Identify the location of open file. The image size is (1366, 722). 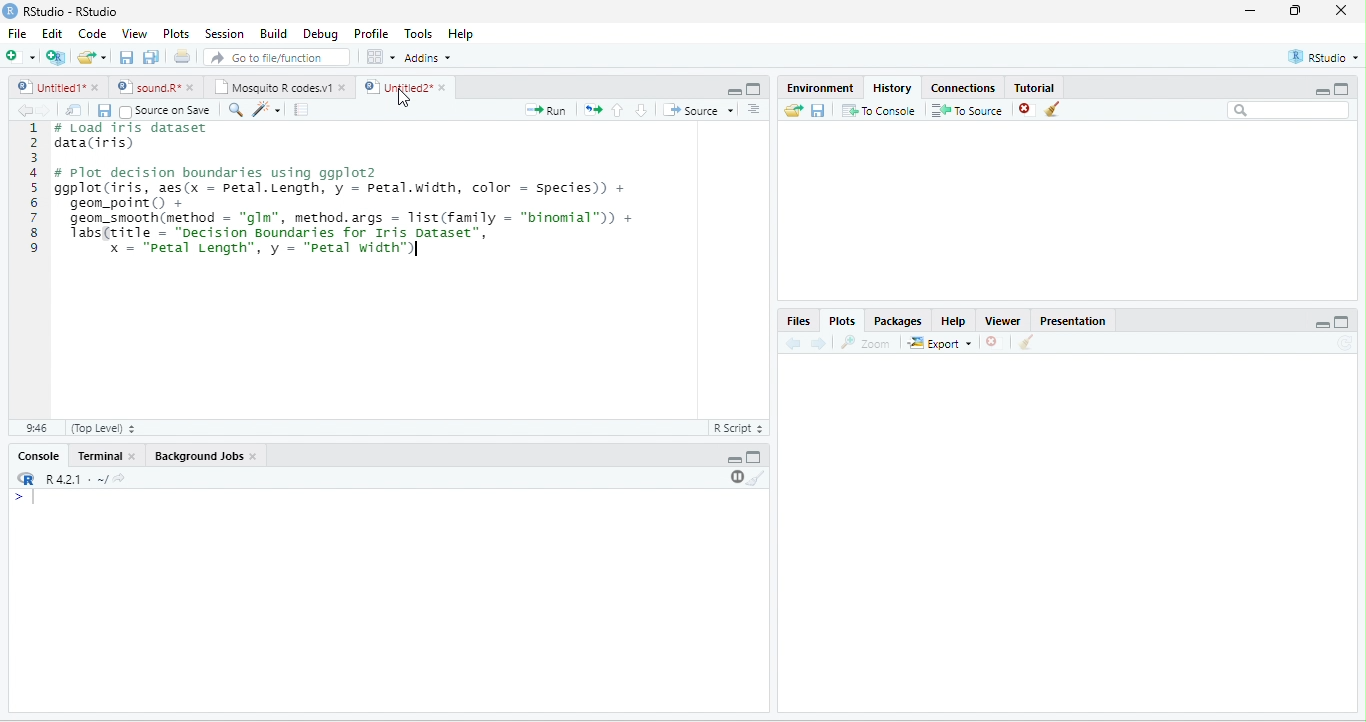
(92, 57).